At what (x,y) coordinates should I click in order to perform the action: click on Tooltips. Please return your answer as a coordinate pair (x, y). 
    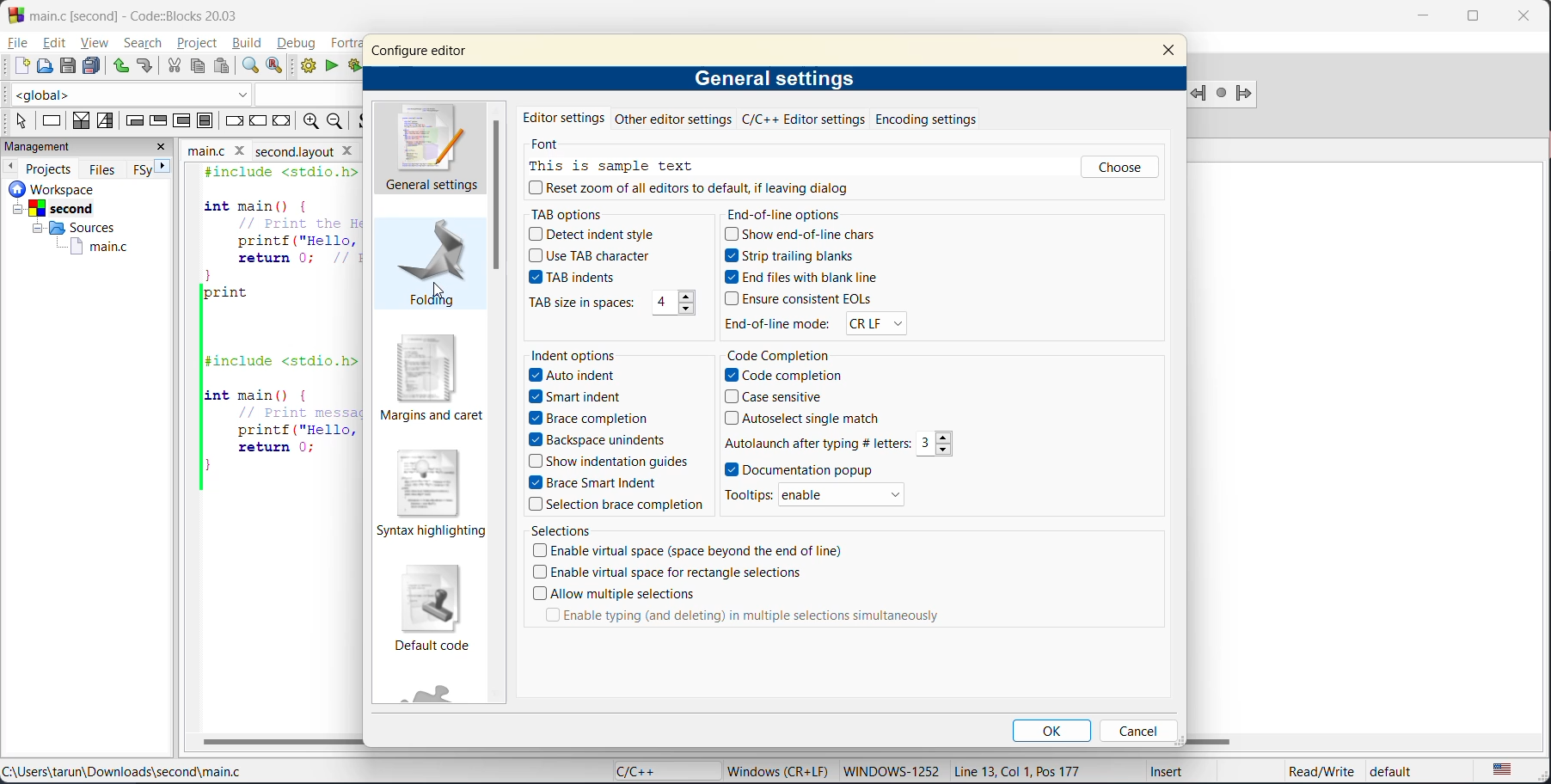
    Looking at the image, I should click on (752, 493).